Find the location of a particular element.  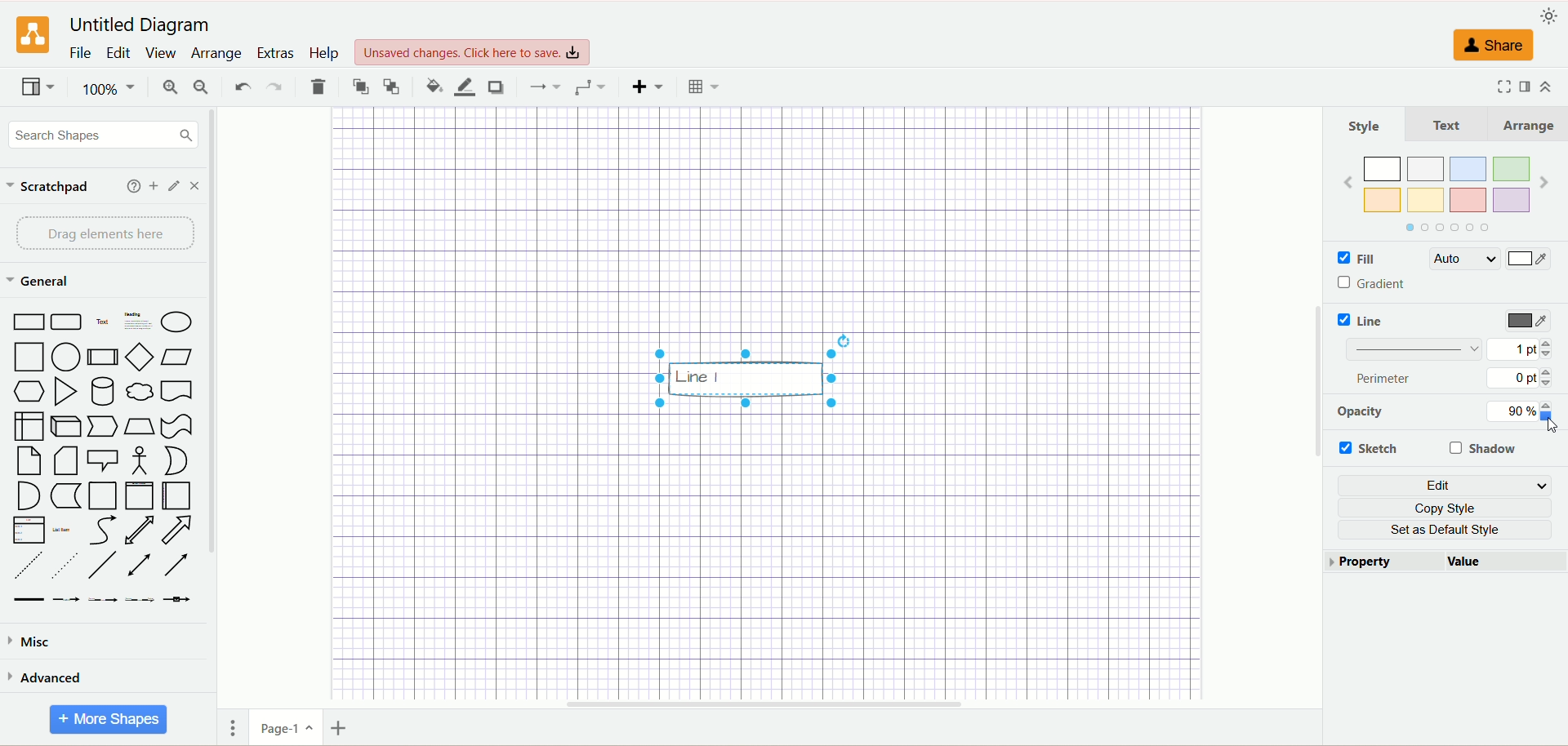

Auto is located at coordinates (1463, 260).